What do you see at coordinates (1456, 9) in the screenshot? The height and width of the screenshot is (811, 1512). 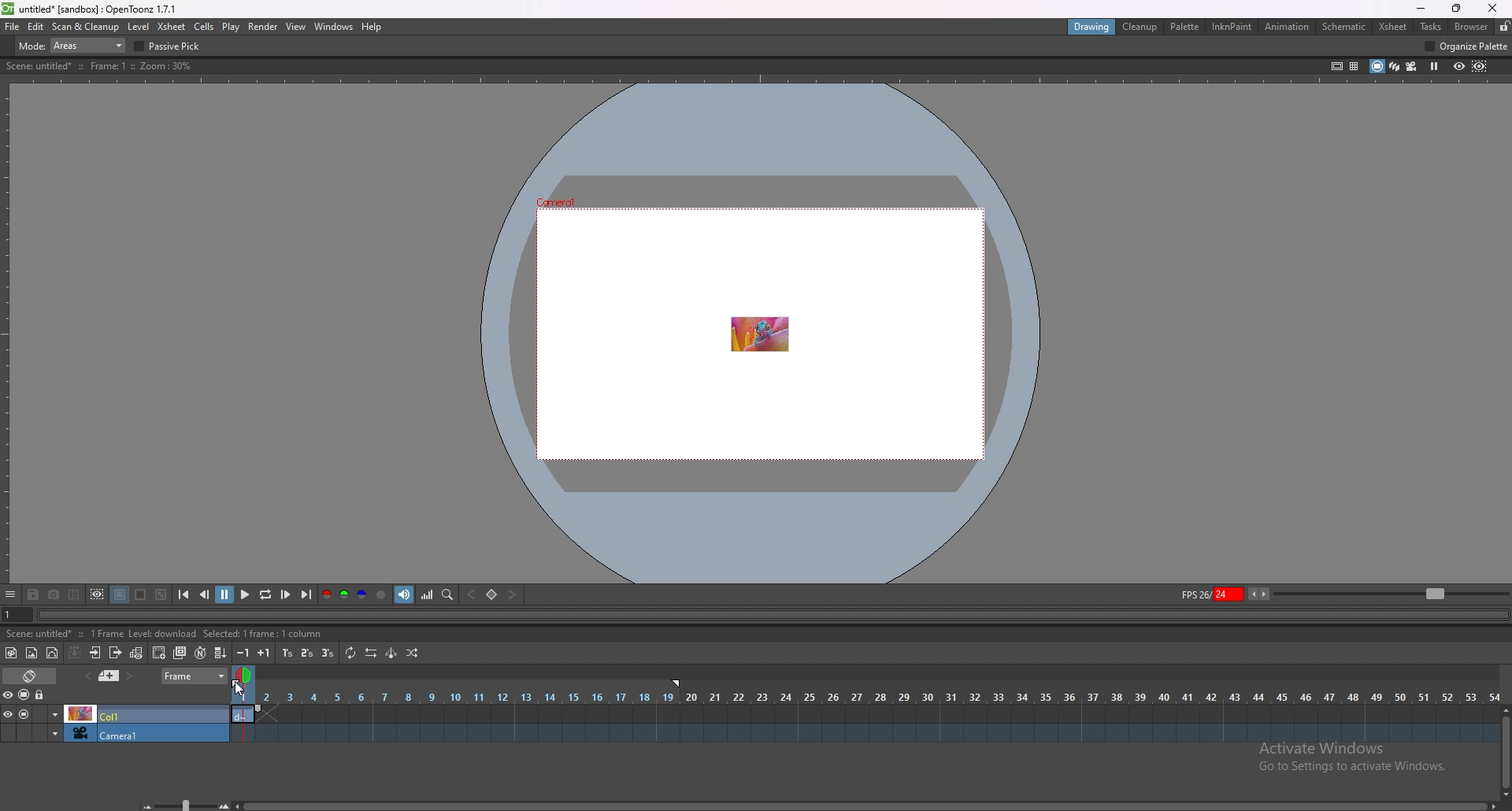 I see `resize` at bounding box center [1456, 9].